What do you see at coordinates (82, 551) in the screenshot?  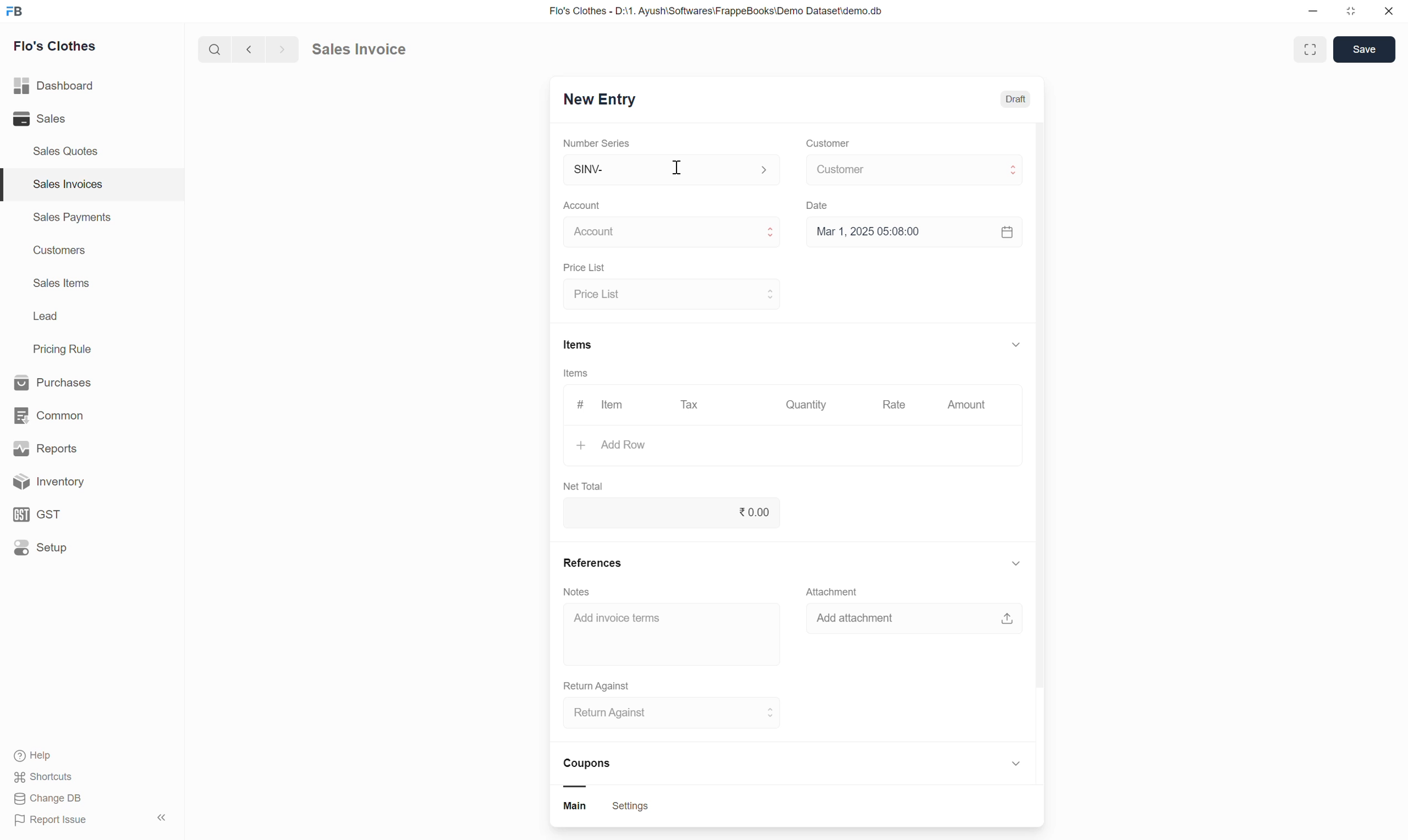 I see `Setup` at bounding box center [82, 551].